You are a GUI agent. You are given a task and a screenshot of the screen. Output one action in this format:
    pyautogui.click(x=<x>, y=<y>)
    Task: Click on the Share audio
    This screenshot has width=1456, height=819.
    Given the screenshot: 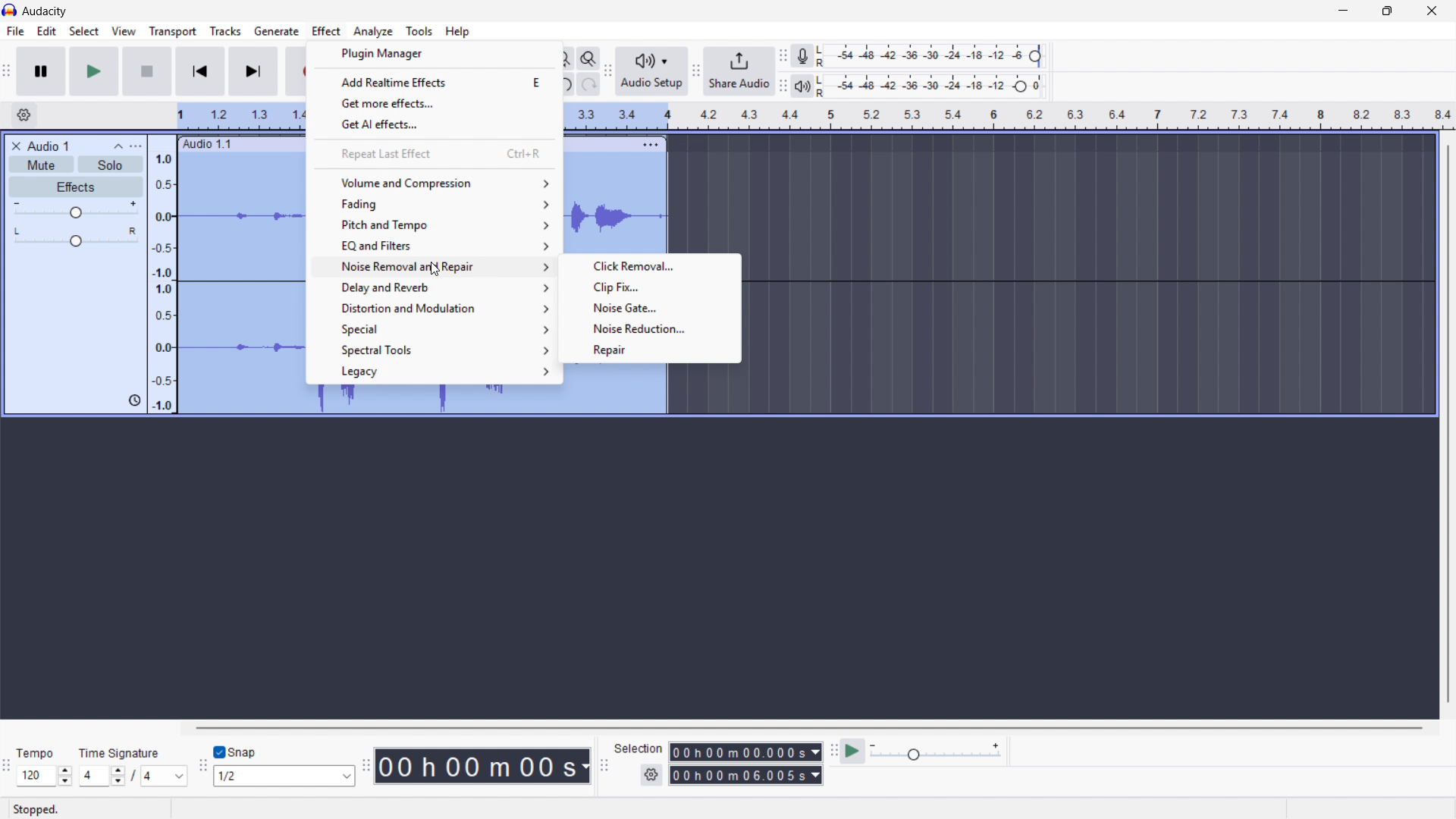 What is the action you would take?
    pyautogui.click(x=739, y=71)
    